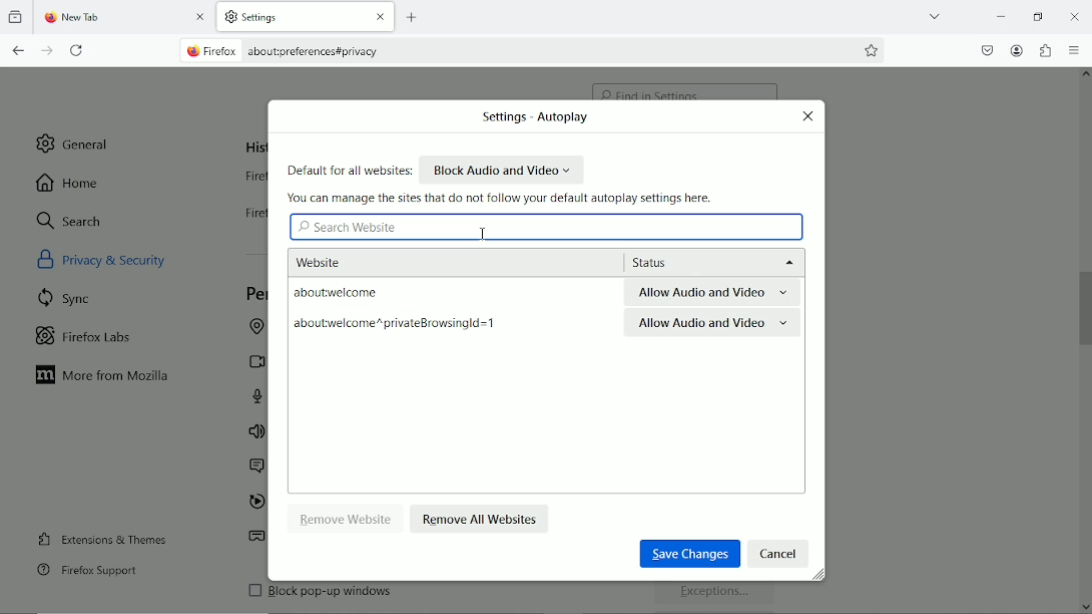 This screenshot has height=614, width=1092. Describe the element at coordinates (48, 19) in the screenshot. I see `firefox logo` at that location.